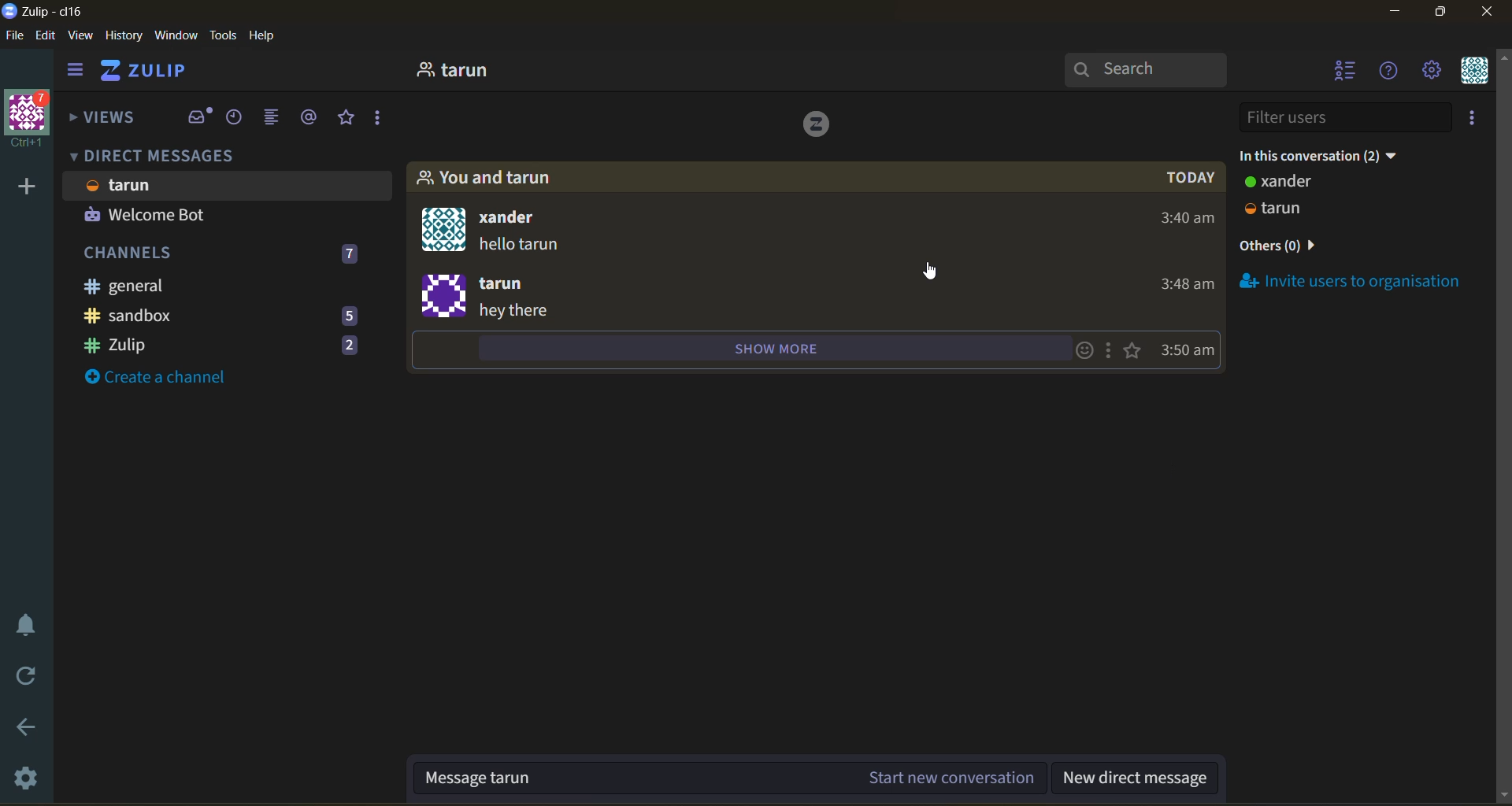 This screenshot has height=806, width=1512. I want to click on close, so click(1488, 13).